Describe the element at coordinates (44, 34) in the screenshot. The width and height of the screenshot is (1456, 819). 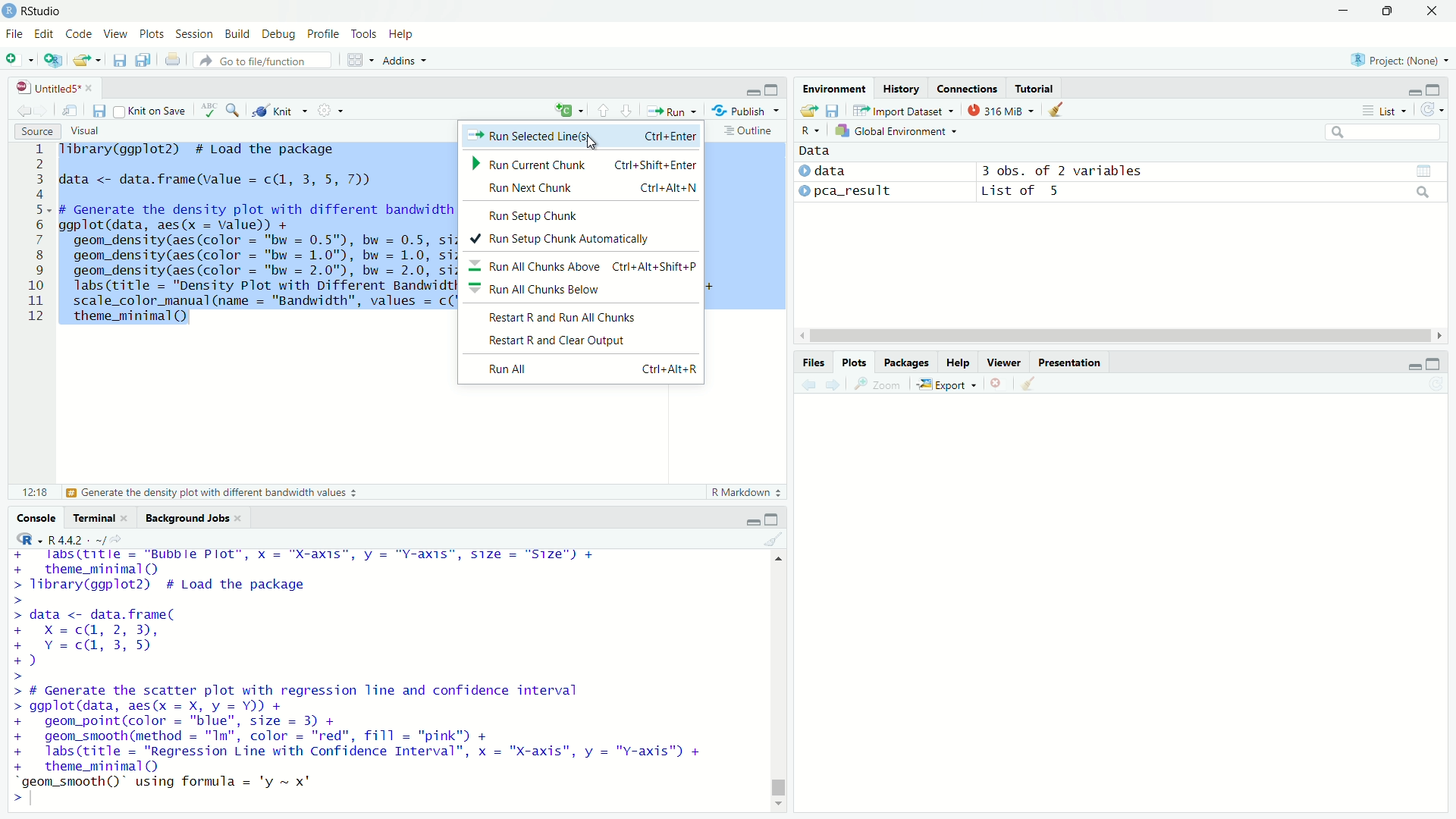
I see `Edit` at that location.